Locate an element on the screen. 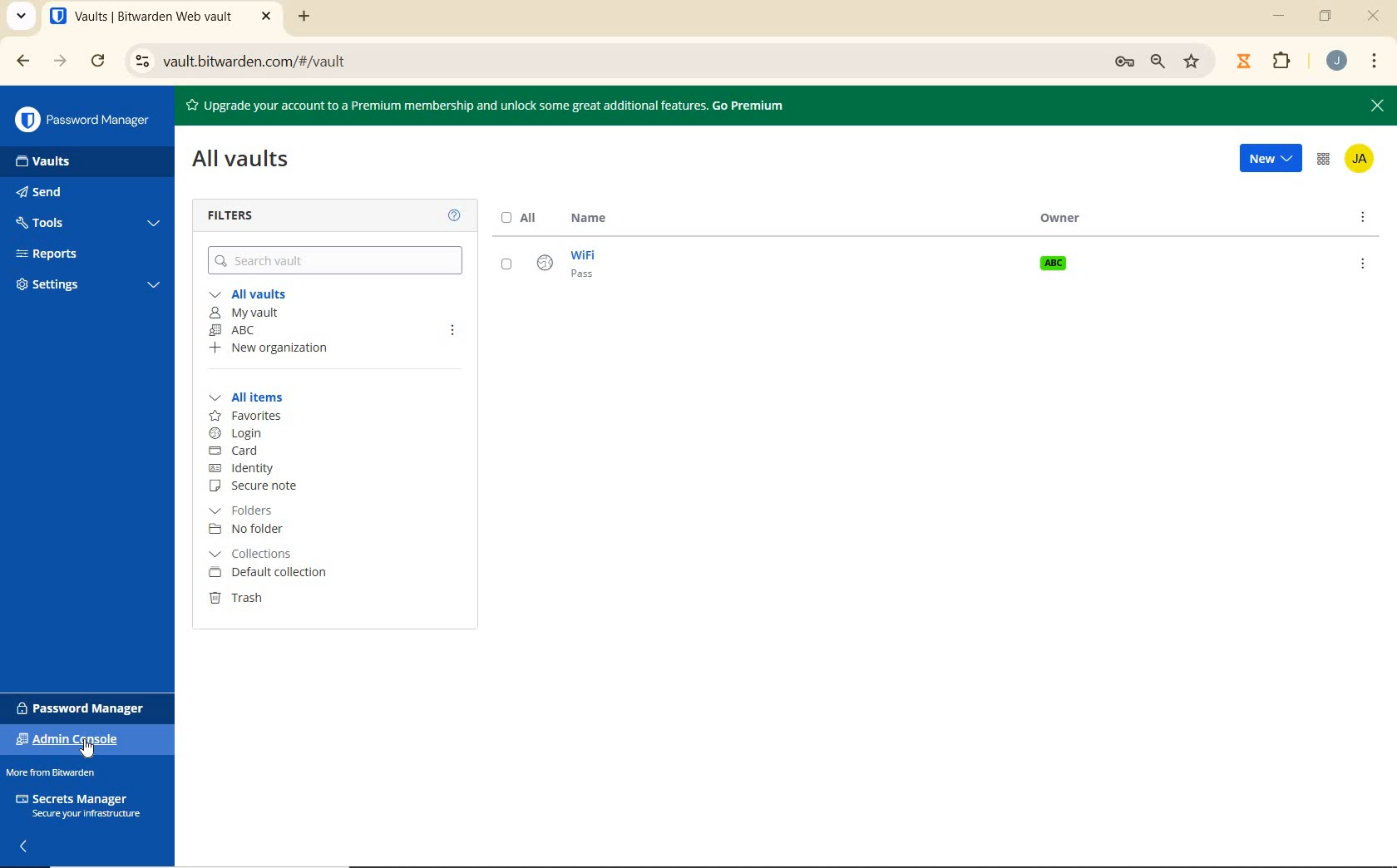 The height and width of the screenshot is (868, 1397). ADD TAB is located at coordinates (301, 18).